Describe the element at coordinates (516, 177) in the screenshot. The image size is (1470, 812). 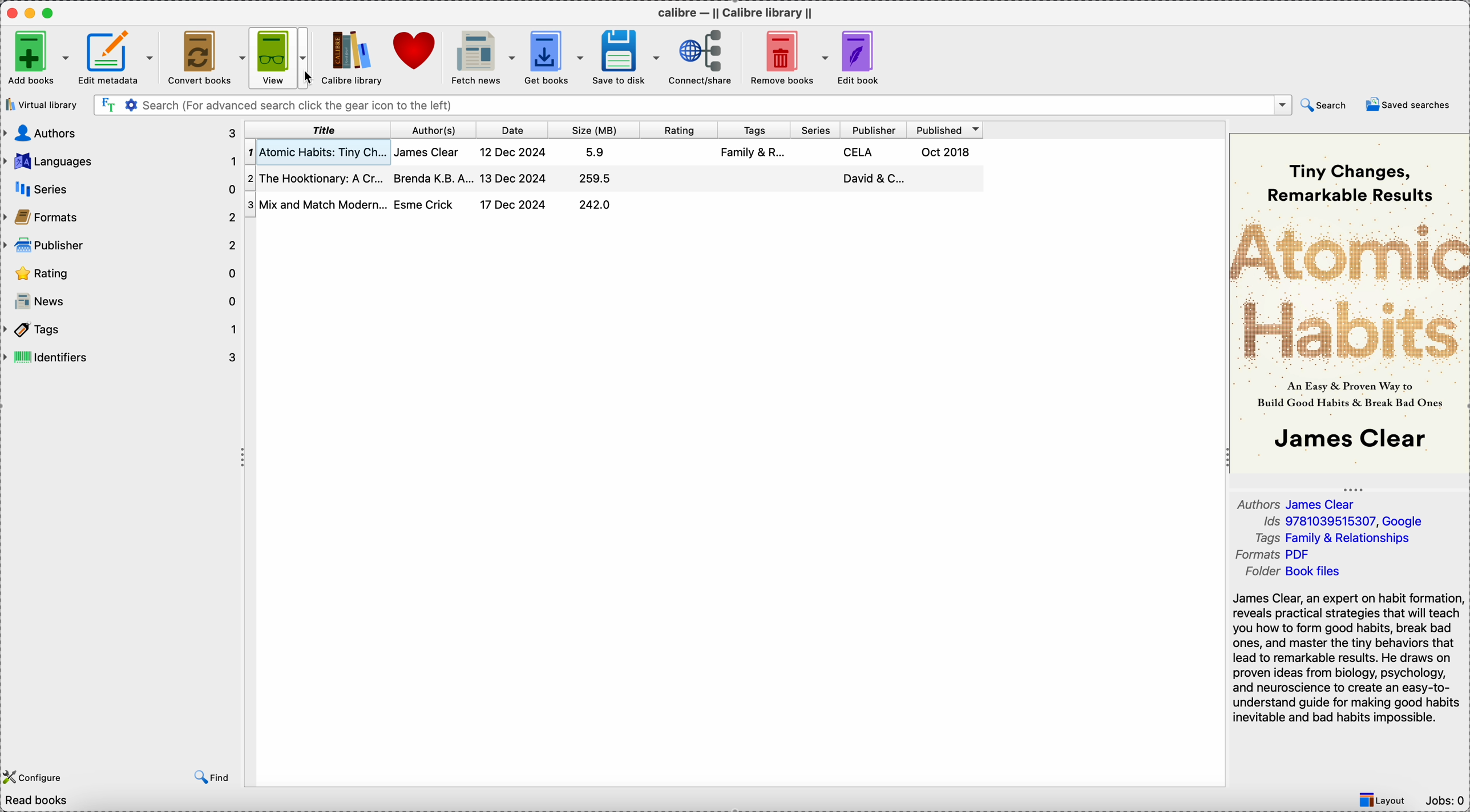
I see `13 Dec 2024` at that location.